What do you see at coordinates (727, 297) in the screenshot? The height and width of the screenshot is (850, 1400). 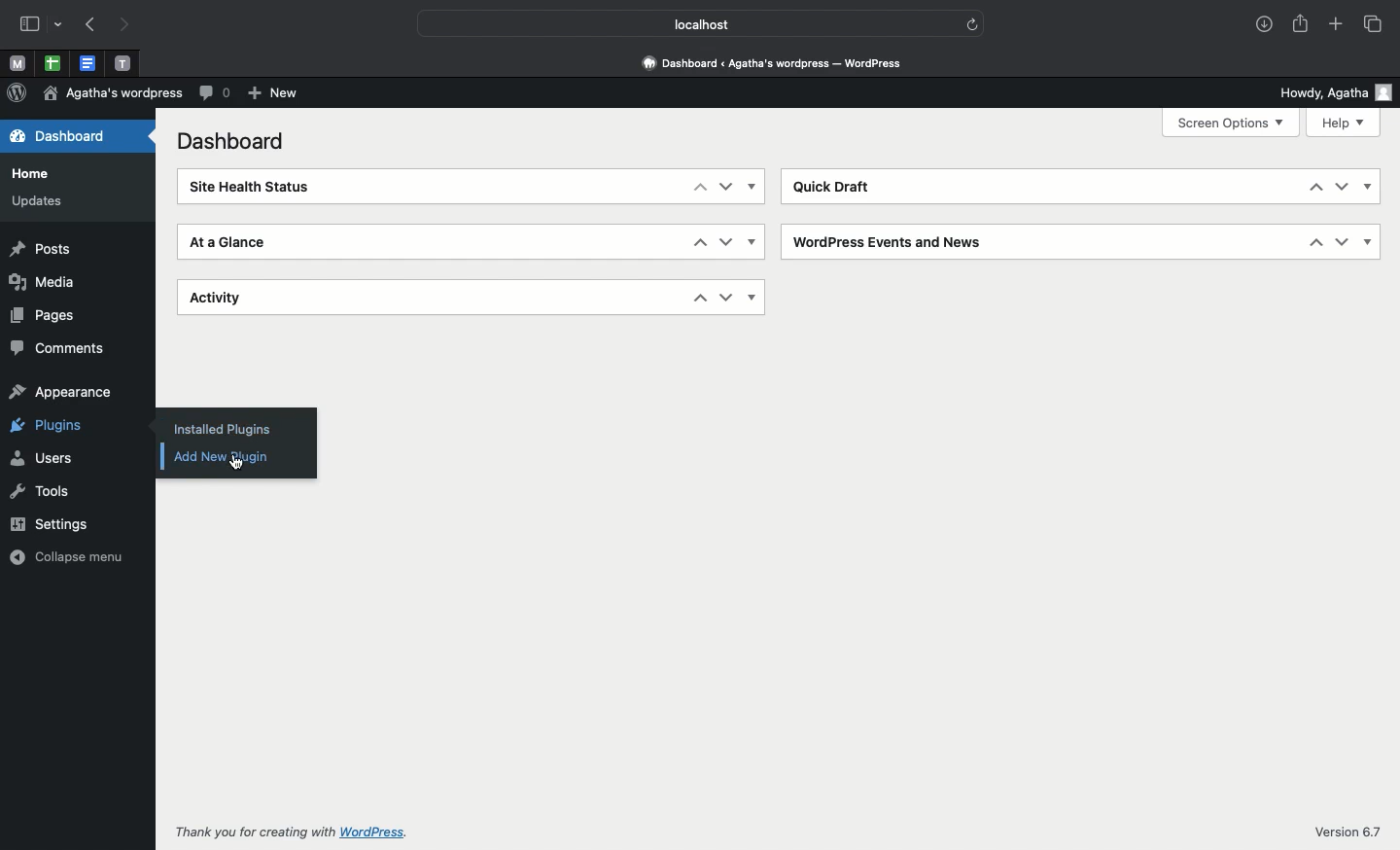 I see `Down` at bounding box center [727, 297].